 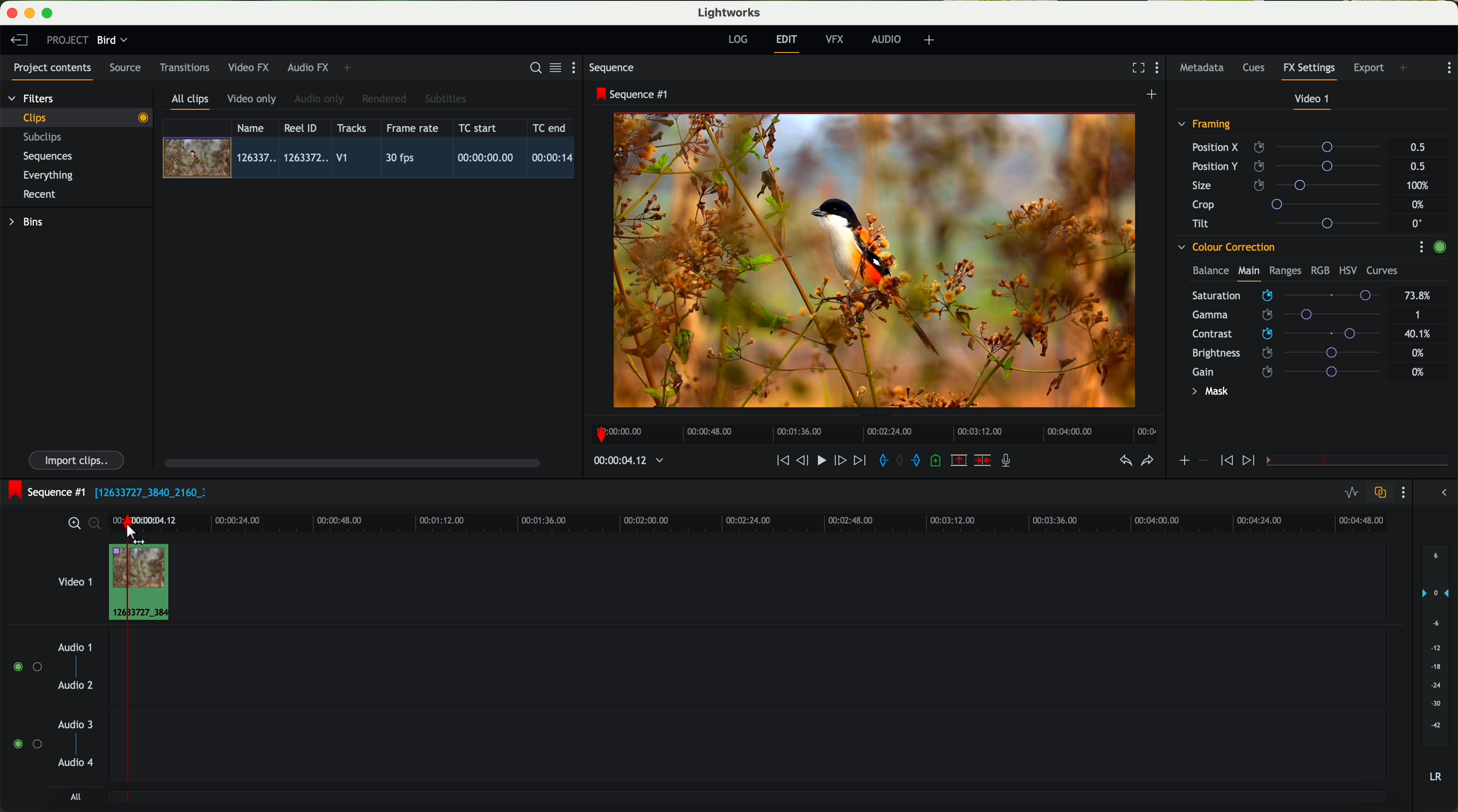 What do you see at coordinates (32, 14) in the screenshot?
I see `minimize program` at bounding box center [32, 14].